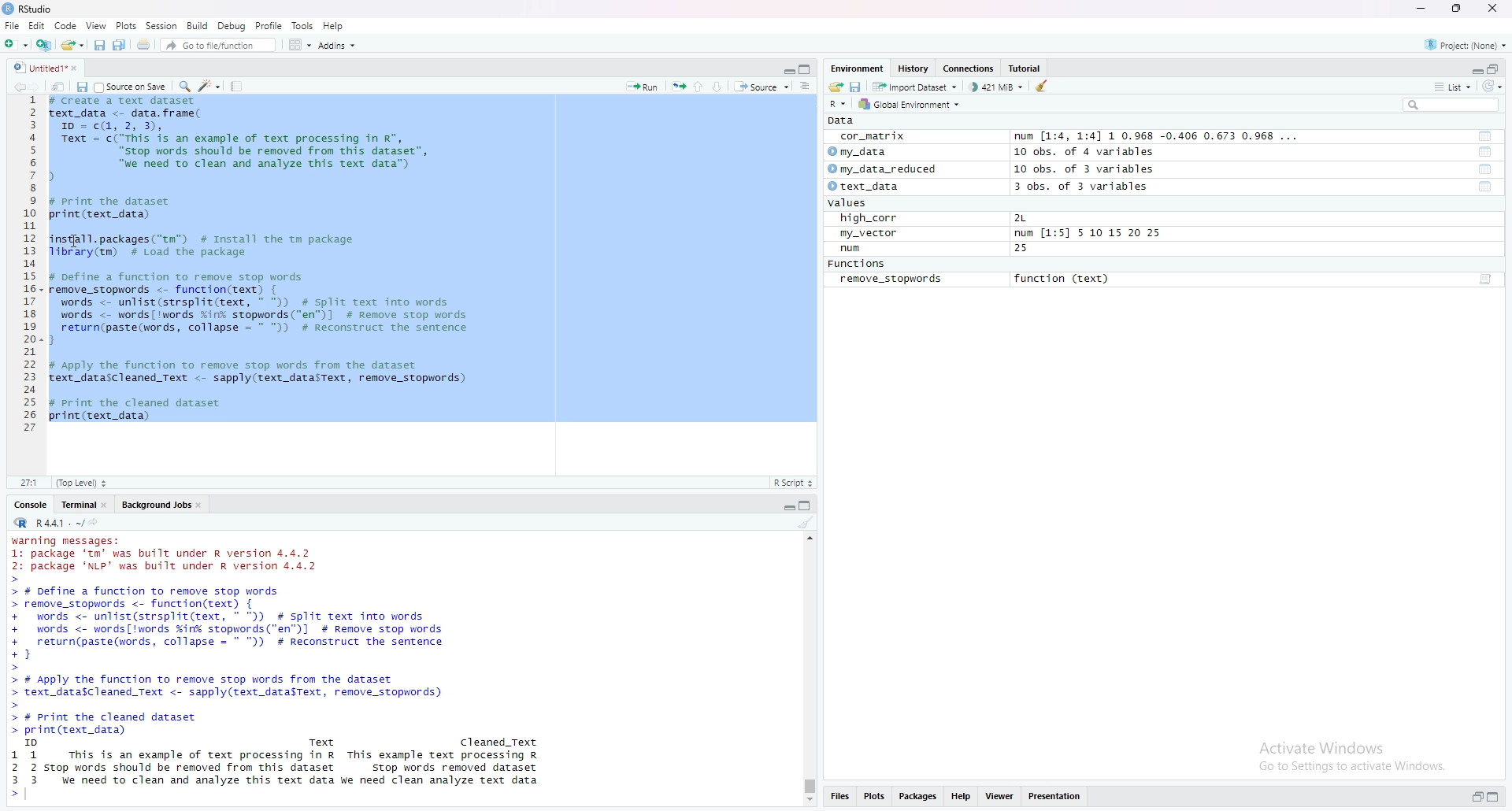 The width and height of the screenshot is (1512, 811). Describe the element at coordinates (239, 85) in the screenshot. I see `compile report` at that location.